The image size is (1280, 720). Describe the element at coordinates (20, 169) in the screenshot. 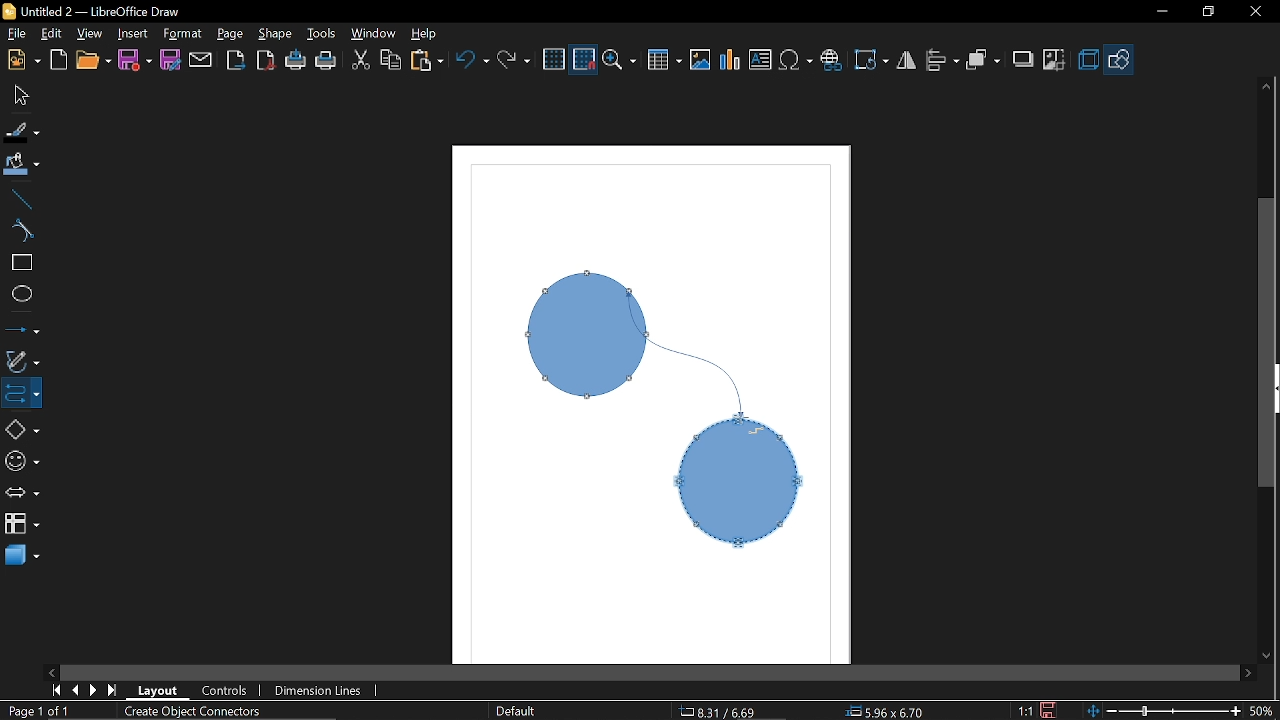

I see `Fill color` at that location.